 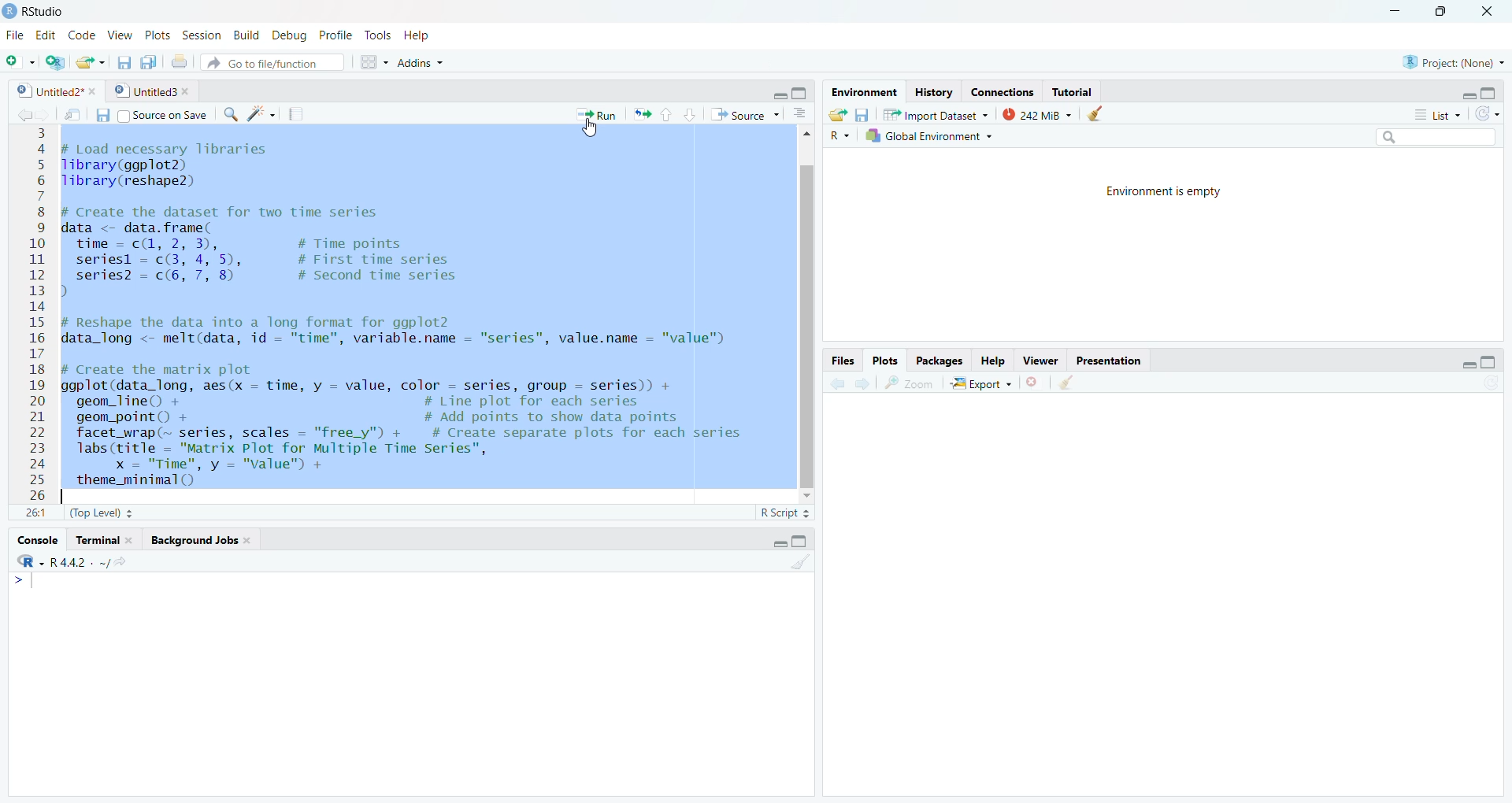 What do you see at coordinates (11, 12) in the screenshot?
I see `logo` at bounding box center [11, 12].